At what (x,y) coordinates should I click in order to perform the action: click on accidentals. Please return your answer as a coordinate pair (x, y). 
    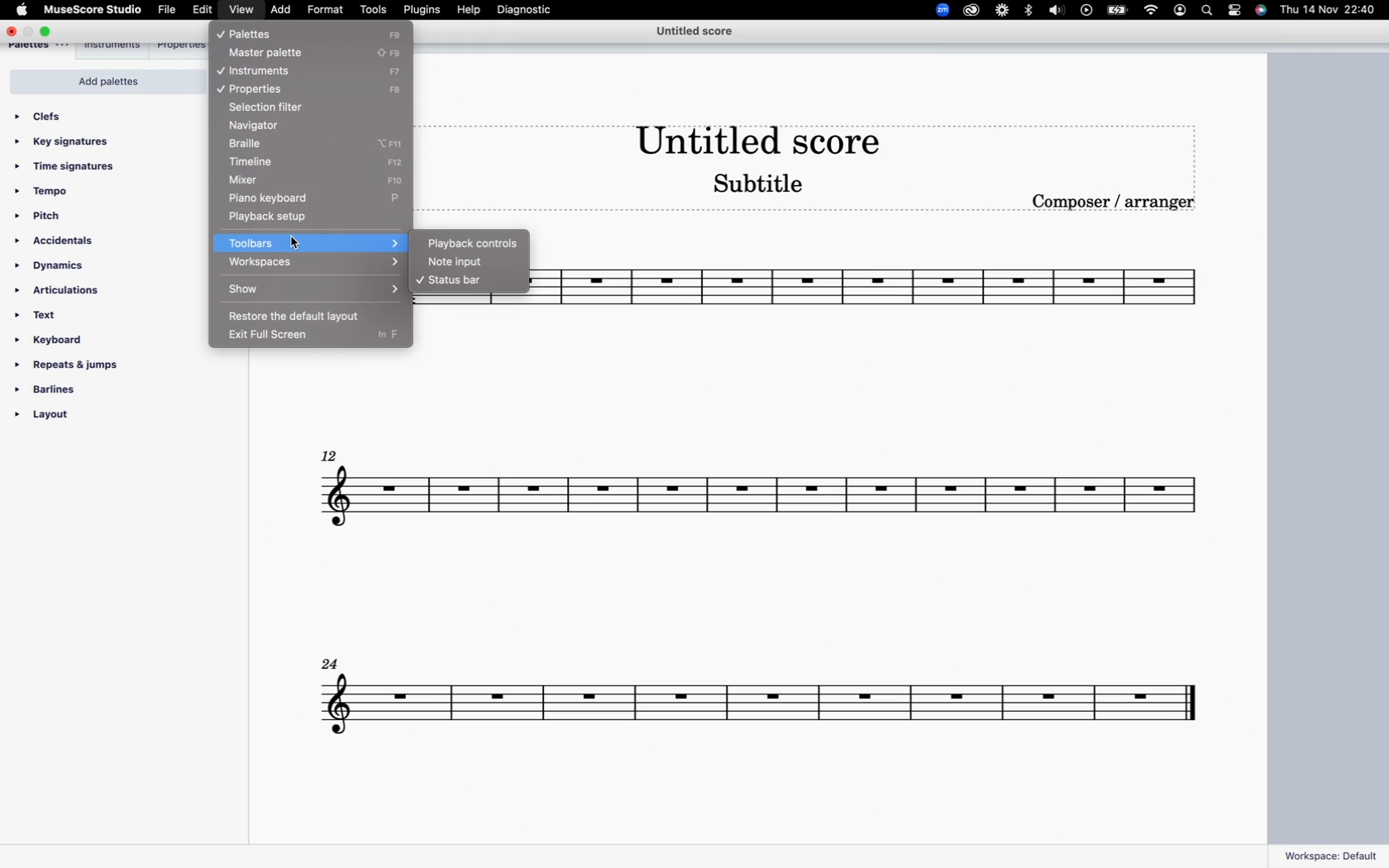
    Looking at the image, I should click on (63, 241).